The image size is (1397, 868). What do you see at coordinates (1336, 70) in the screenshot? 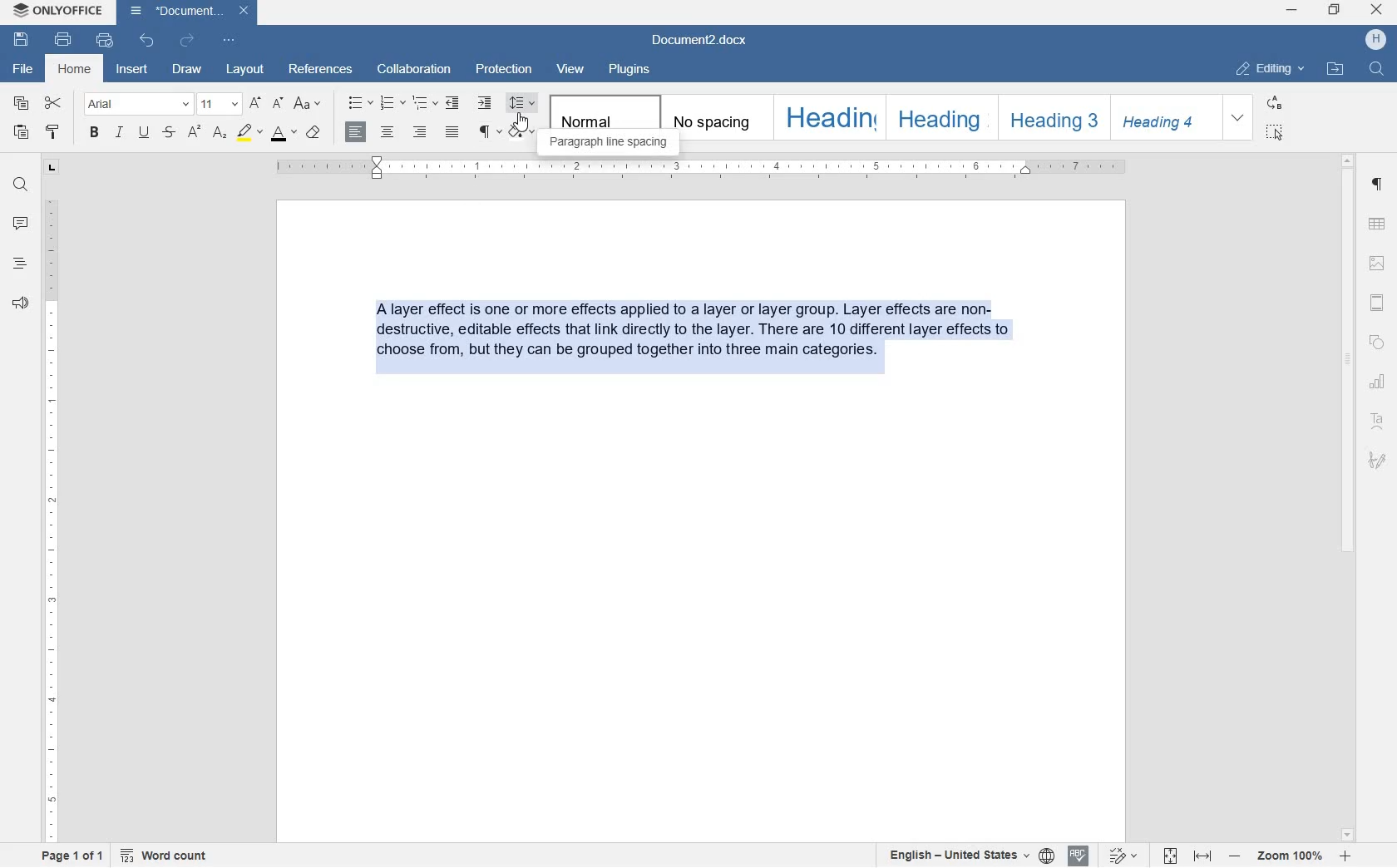
I see `open file location` at bounding box center [1336, 70].